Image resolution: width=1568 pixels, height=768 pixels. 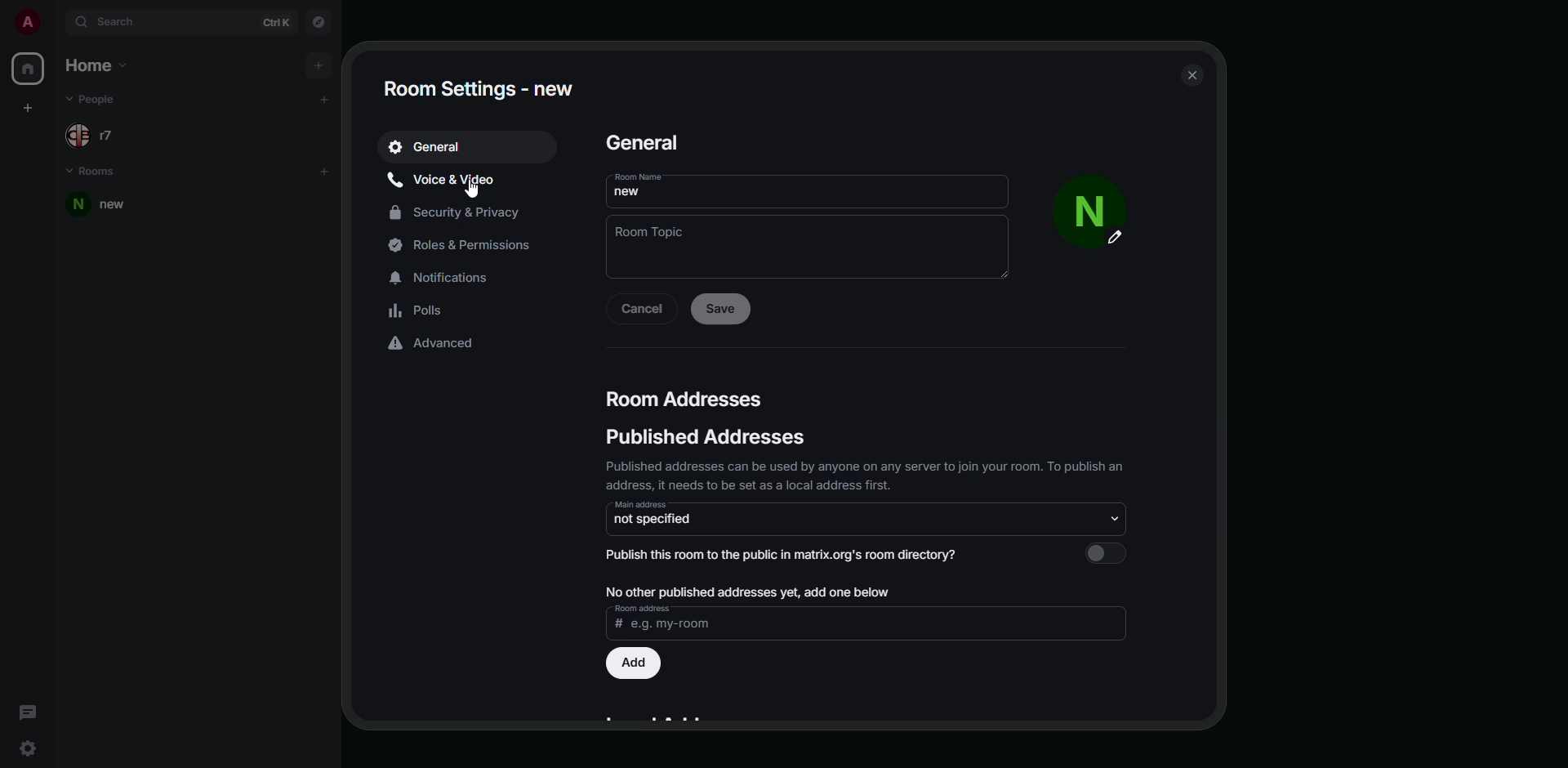 I want to click on profile, so click(x=1094, y=215).